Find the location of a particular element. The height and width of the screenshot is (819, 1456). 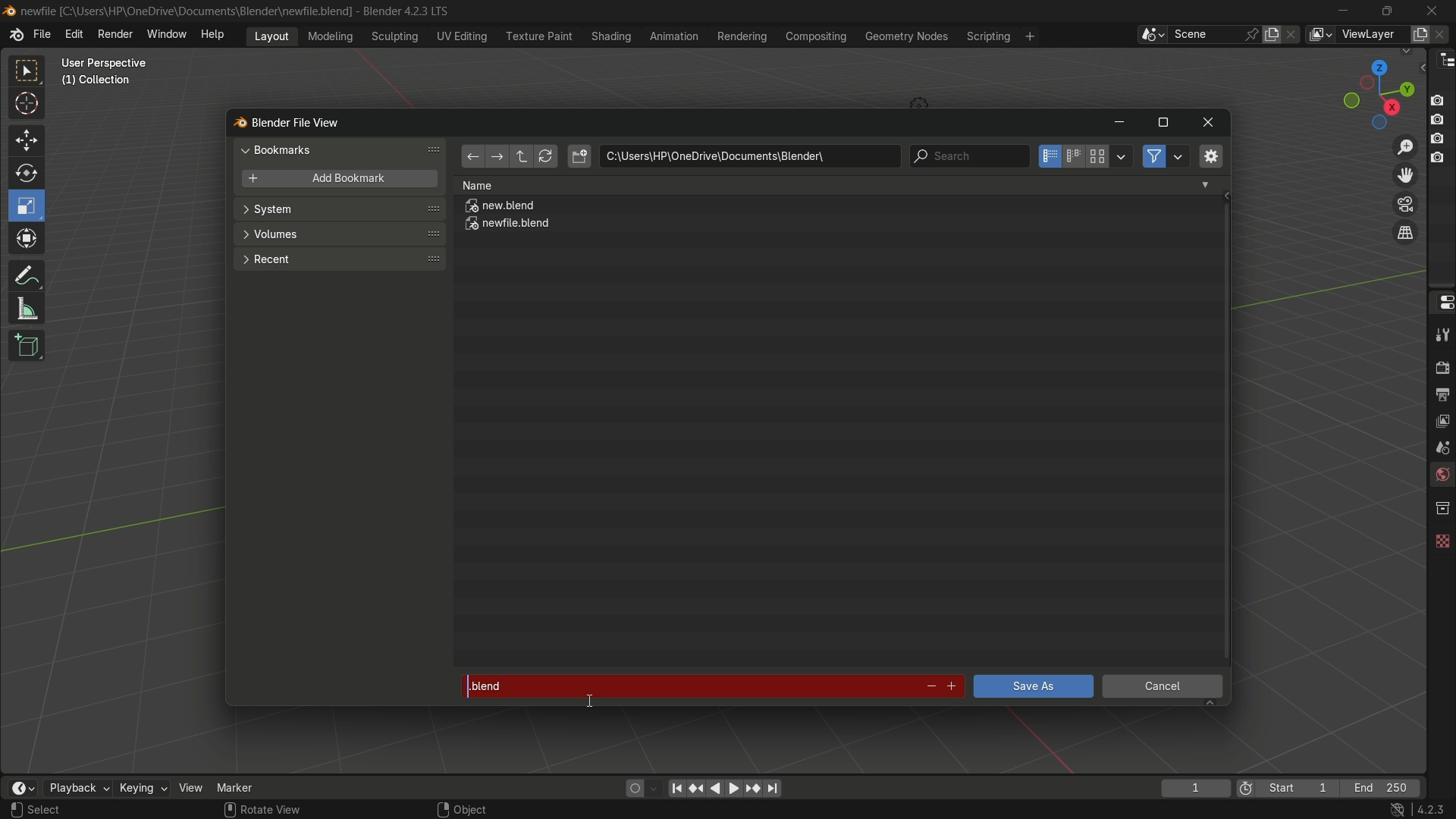

.blend is located at coordinates (686, 683).